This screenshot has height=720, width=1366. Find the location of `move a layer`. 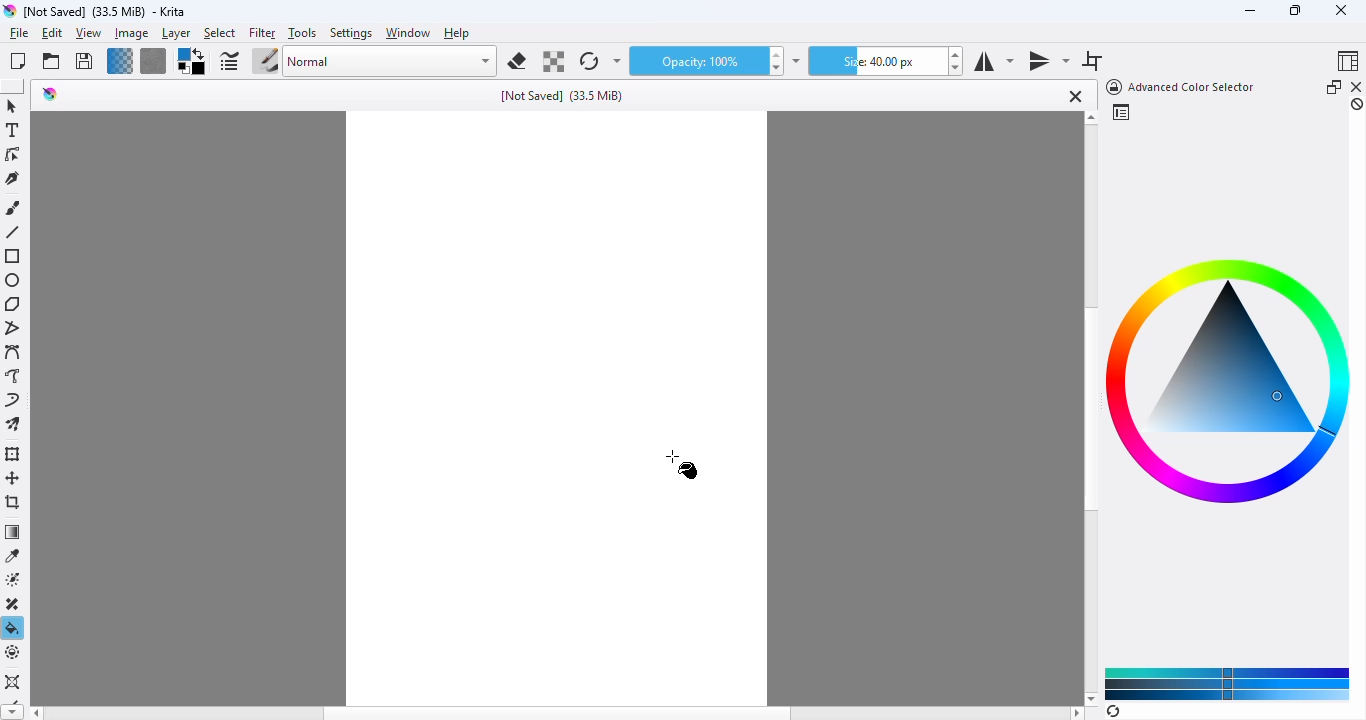

move a layer is located at coordinates (13, 478).